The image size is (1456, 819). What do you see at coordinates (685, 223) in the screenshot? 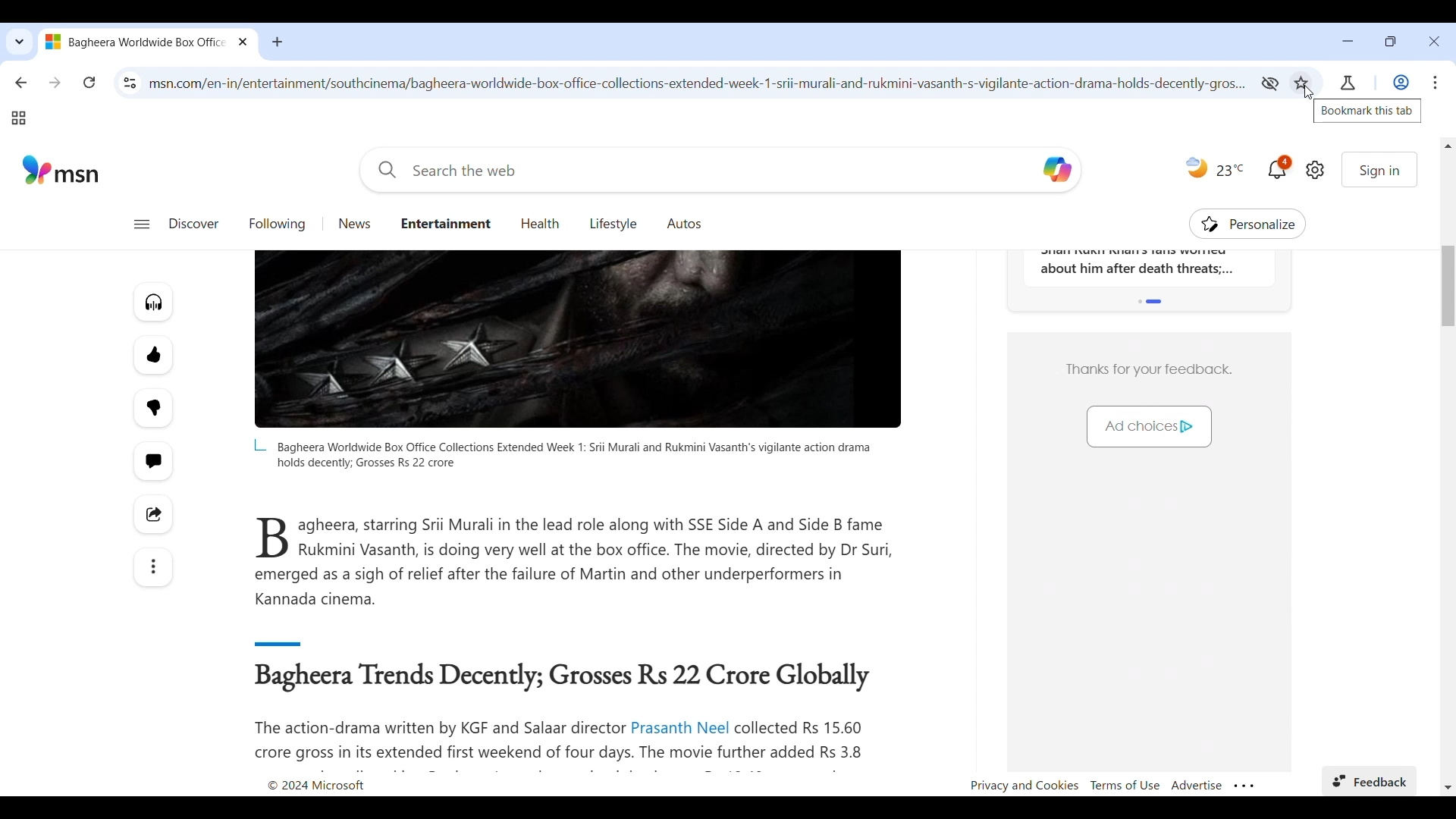
I see `Go to Autos page` at bounding box center [685, 223].